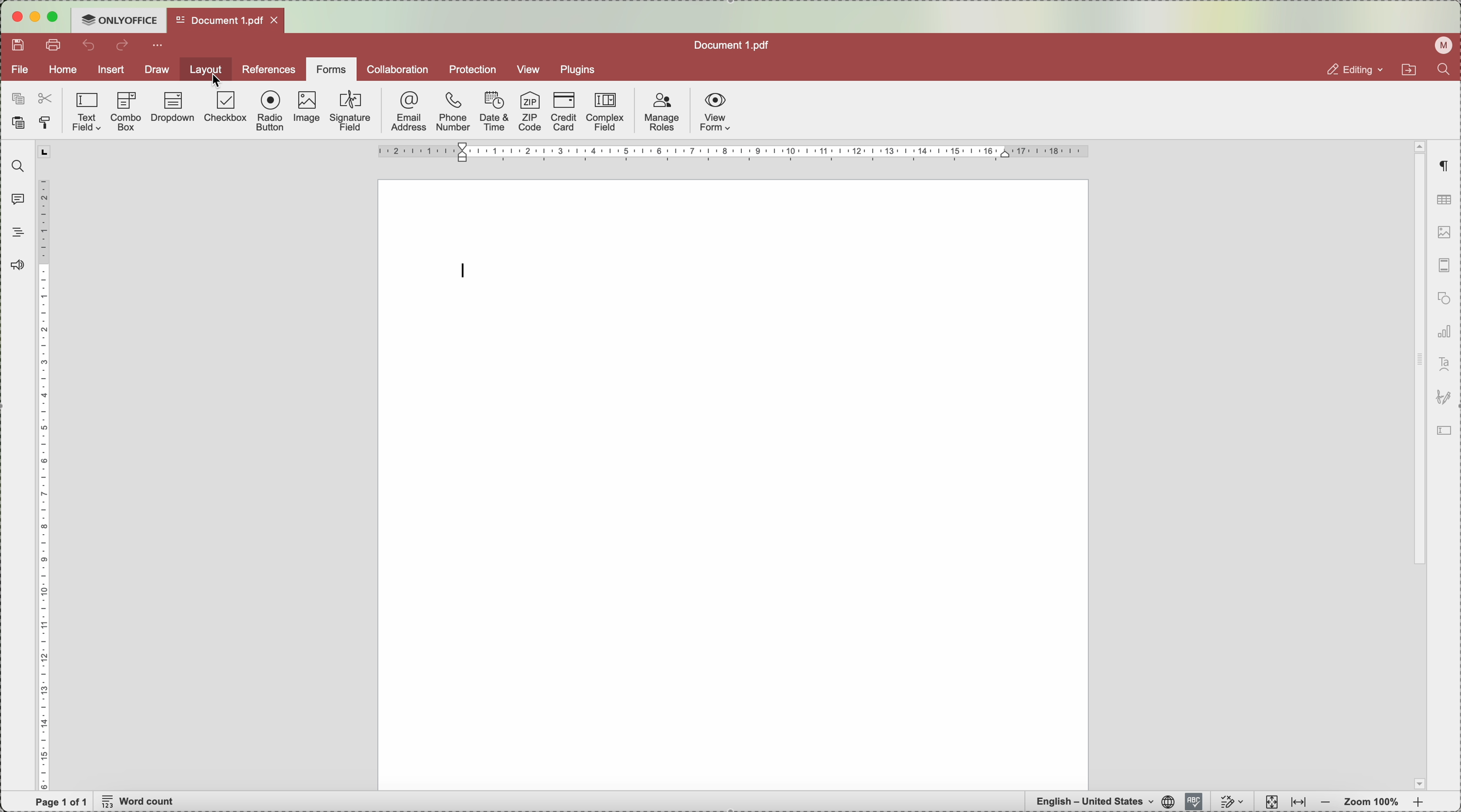 The image size is (1461, 812). I want to click on comments, so click(15, 198).